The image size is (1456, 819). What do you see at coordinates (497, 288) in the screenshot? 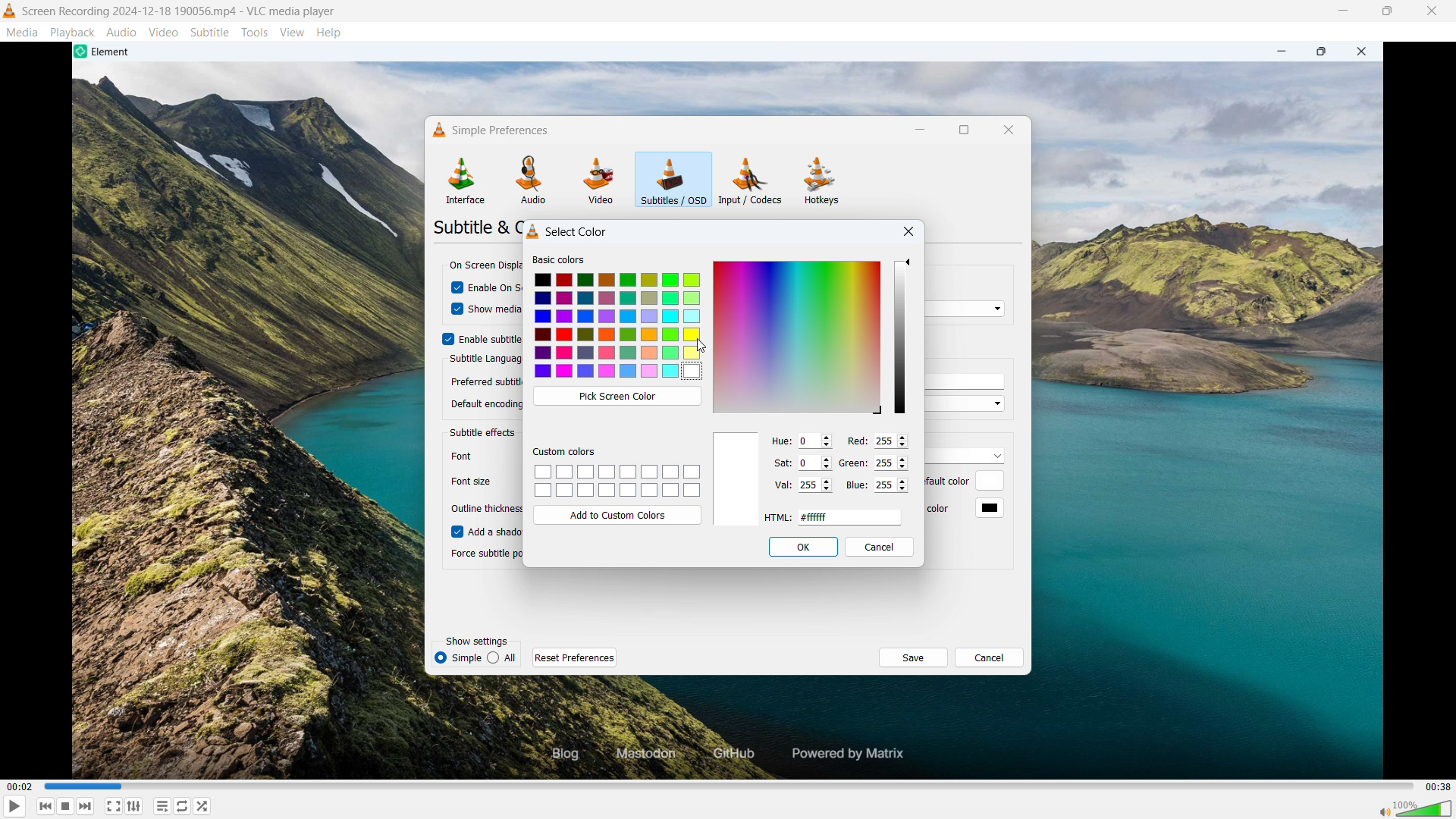
I see `Enable on screen display ` at bounding box center [497, 288].